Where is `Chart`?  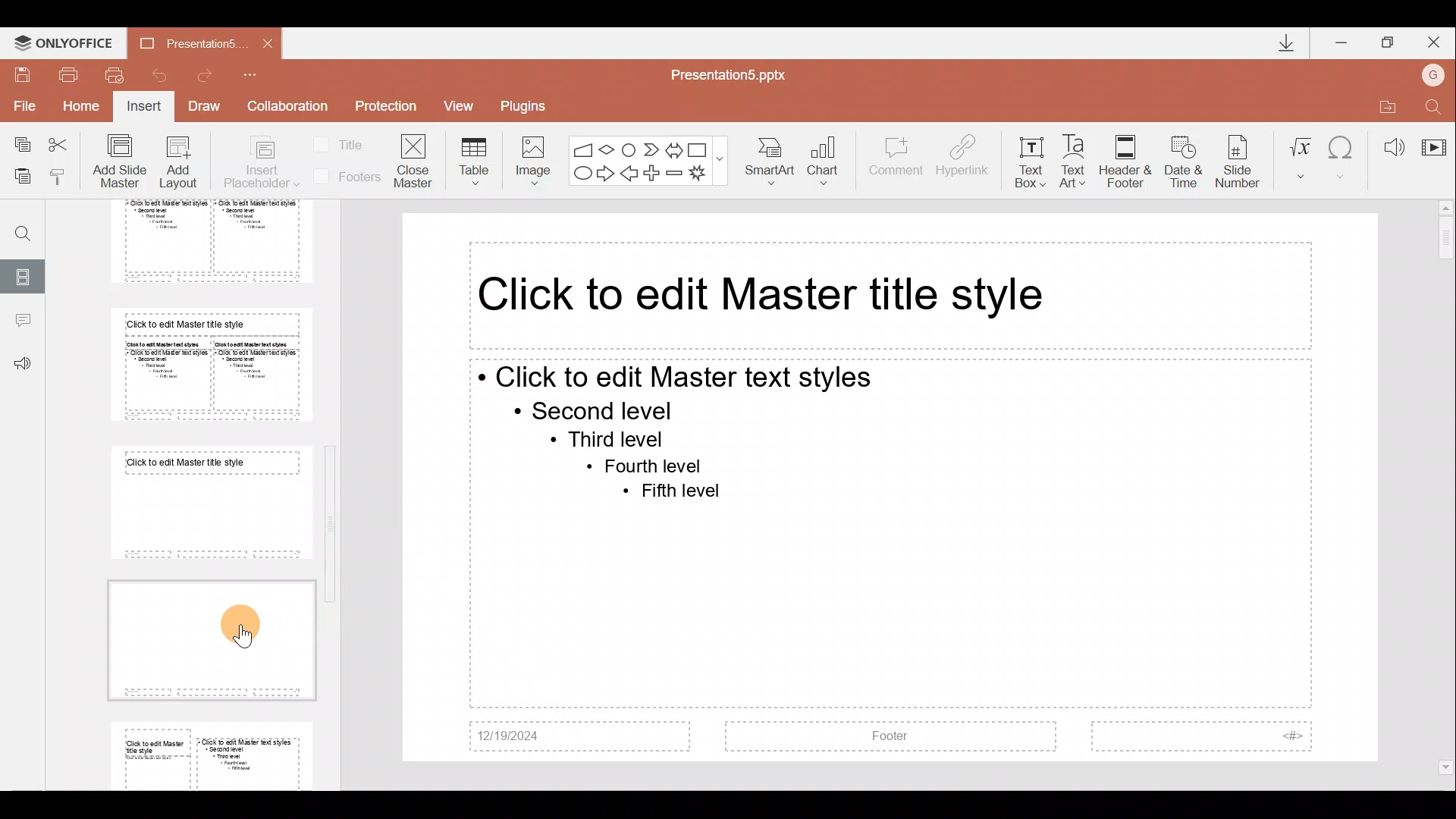
Chart is located at coordinates (833, 162).